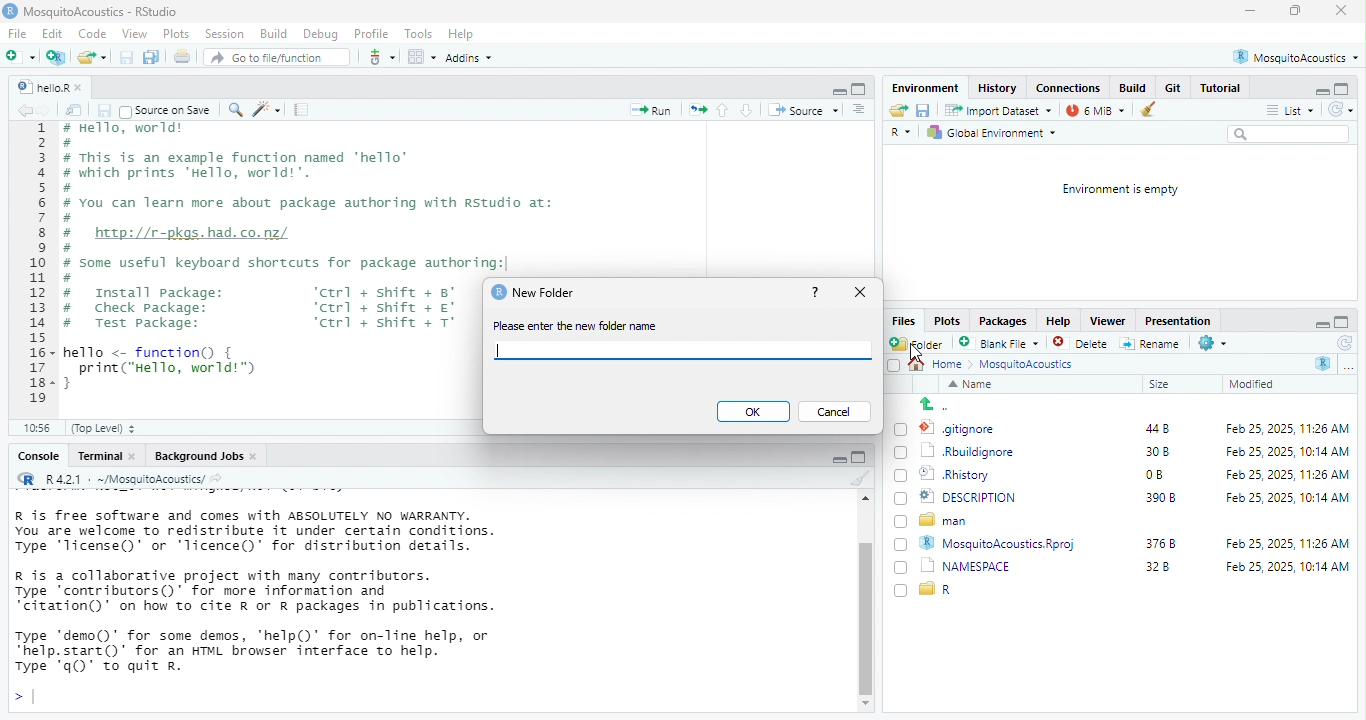 This screenshot has width=1366, height=720. I want to click on new folder, so click(920, 343).